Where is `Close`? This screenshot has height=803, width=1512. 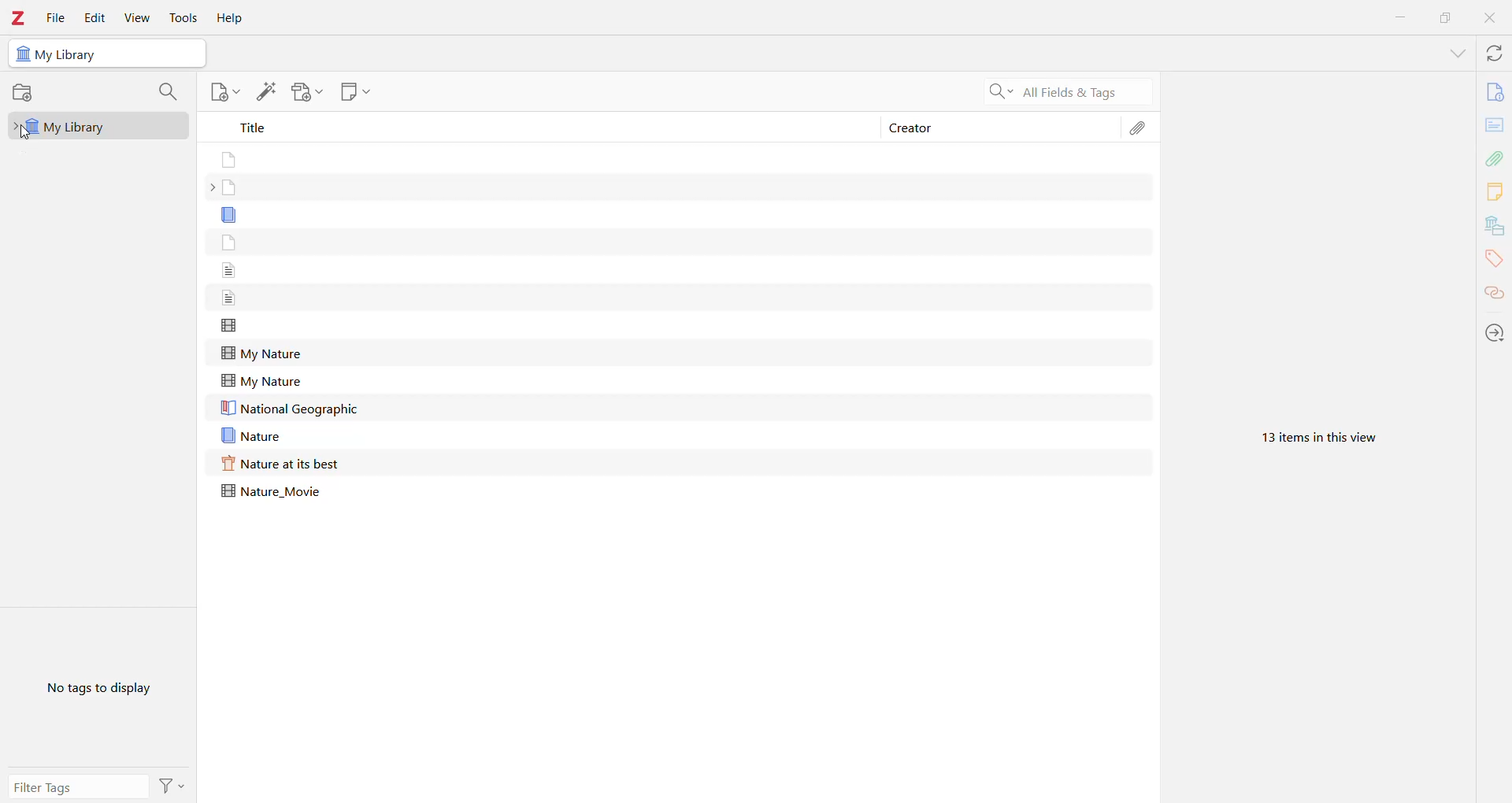
Close is located at coordinates (1489, 19).